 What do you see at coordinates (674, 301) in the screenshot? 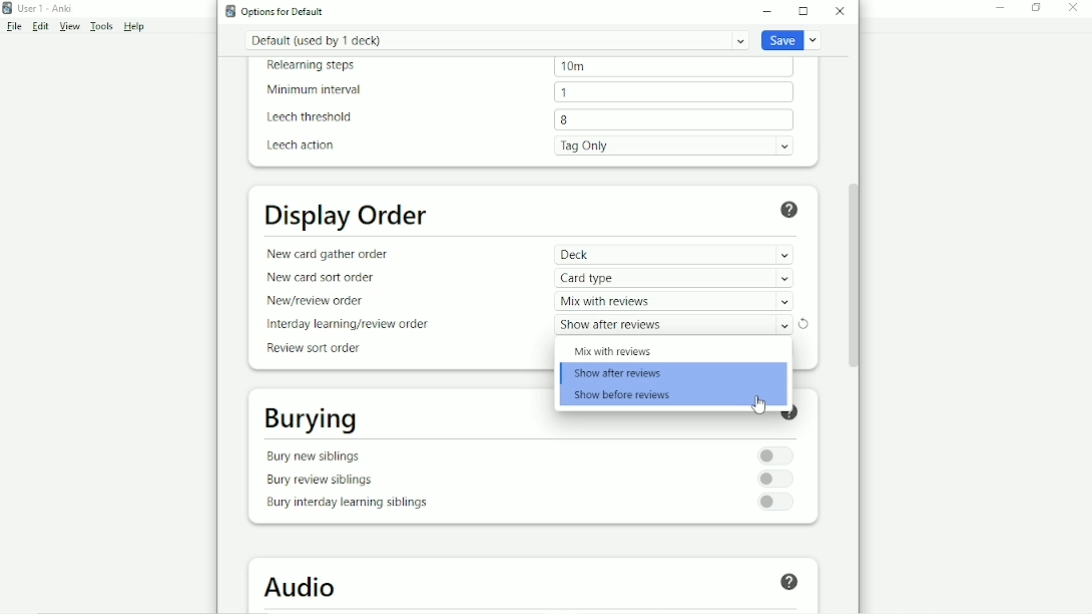
I see `Mix with reviews` at bounding box center [674, 301].